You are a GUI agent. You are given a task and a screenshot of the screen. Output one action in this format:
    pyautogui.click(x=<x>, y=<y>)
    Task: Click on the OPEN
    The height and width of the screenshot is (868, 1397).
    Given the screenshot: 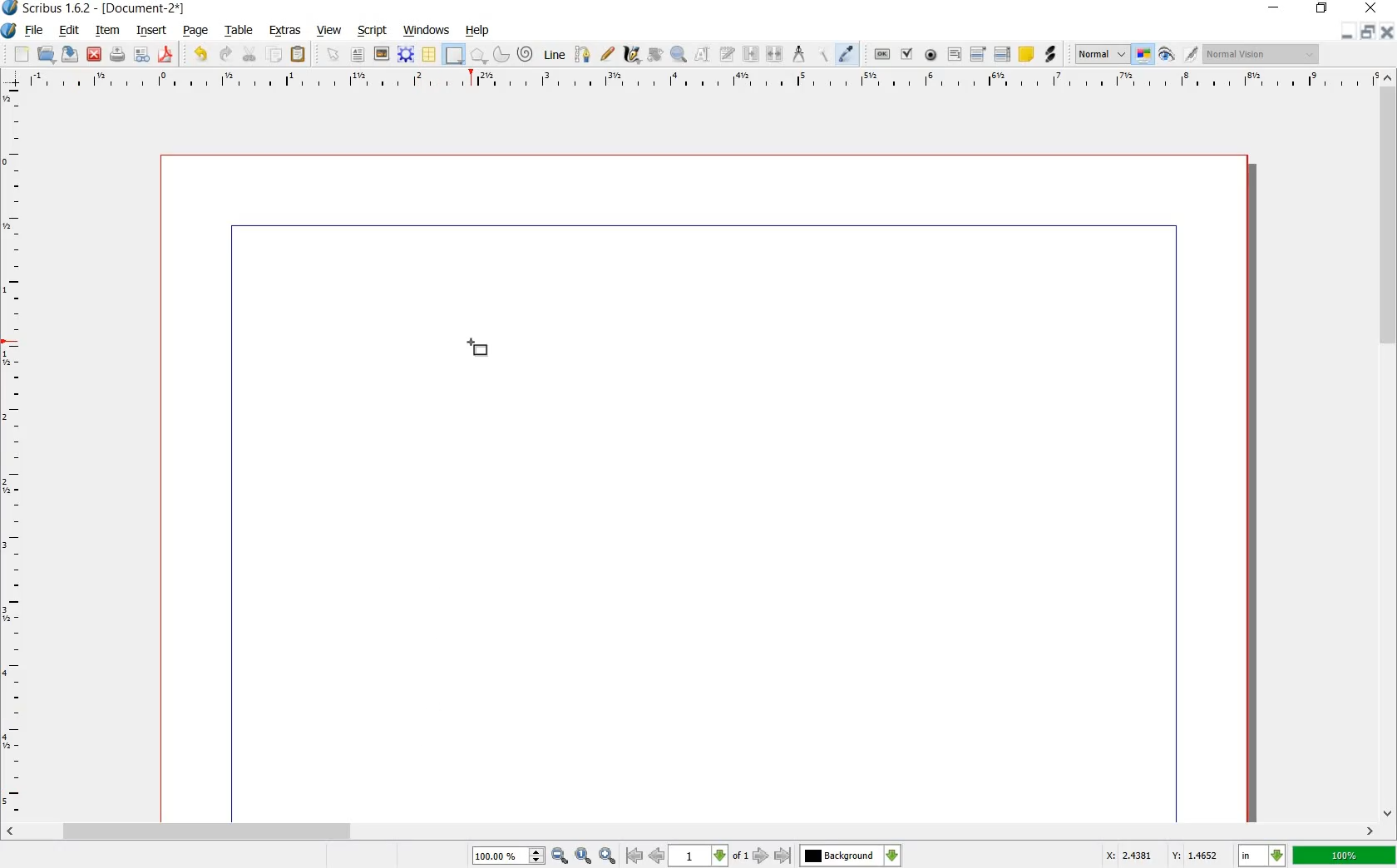 What is the action you would take?
    pyautogui.click(x=47, y=55)
    